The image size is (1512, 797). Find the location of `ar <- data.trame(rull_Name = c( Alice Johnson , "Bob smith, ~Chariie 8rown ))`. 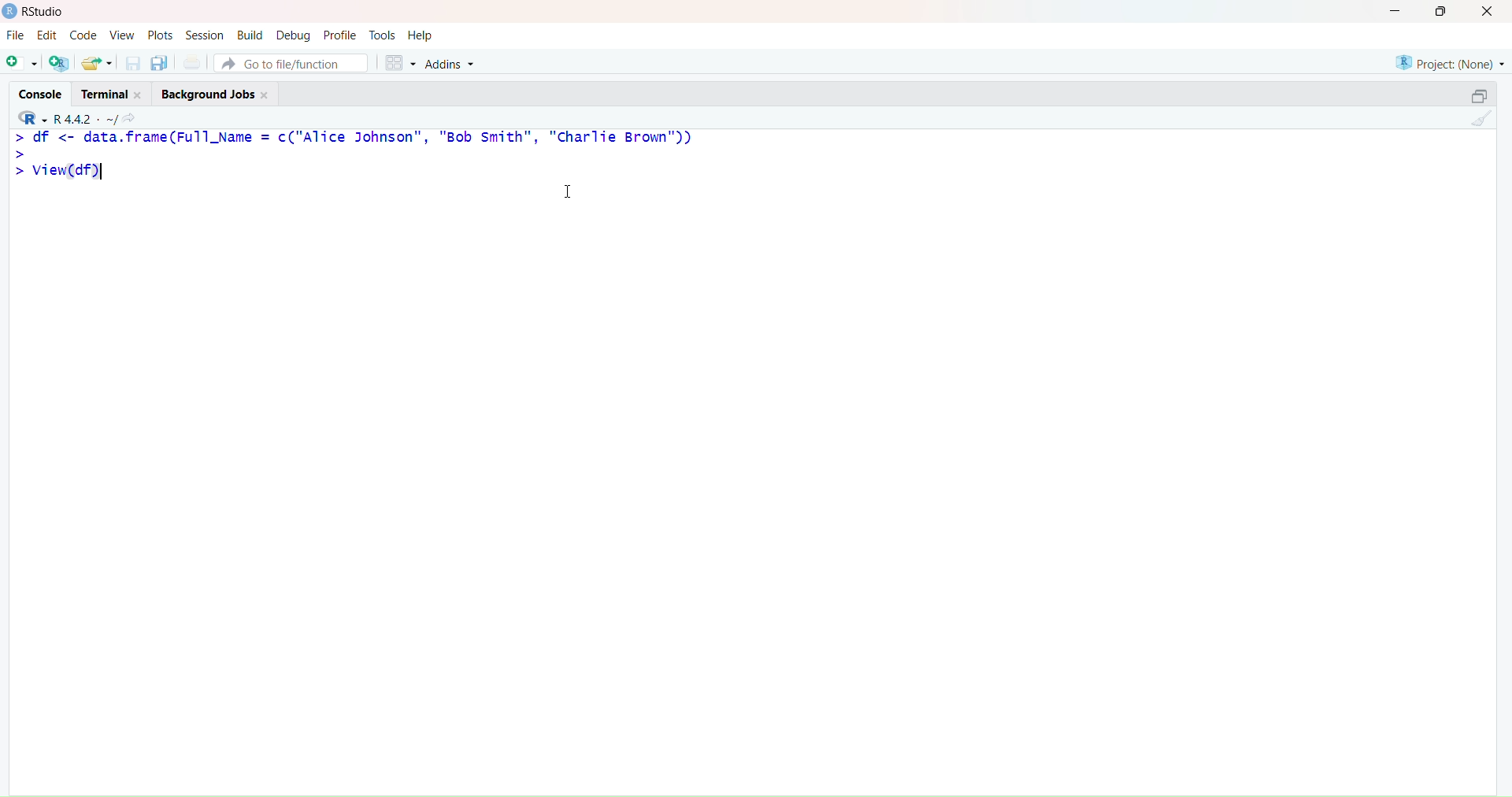

ar <- data.trame(rull_Name = c( Alice Johnson , "Bob smith, ~Chariie 8rown )) is located at coordinates (353, 138).